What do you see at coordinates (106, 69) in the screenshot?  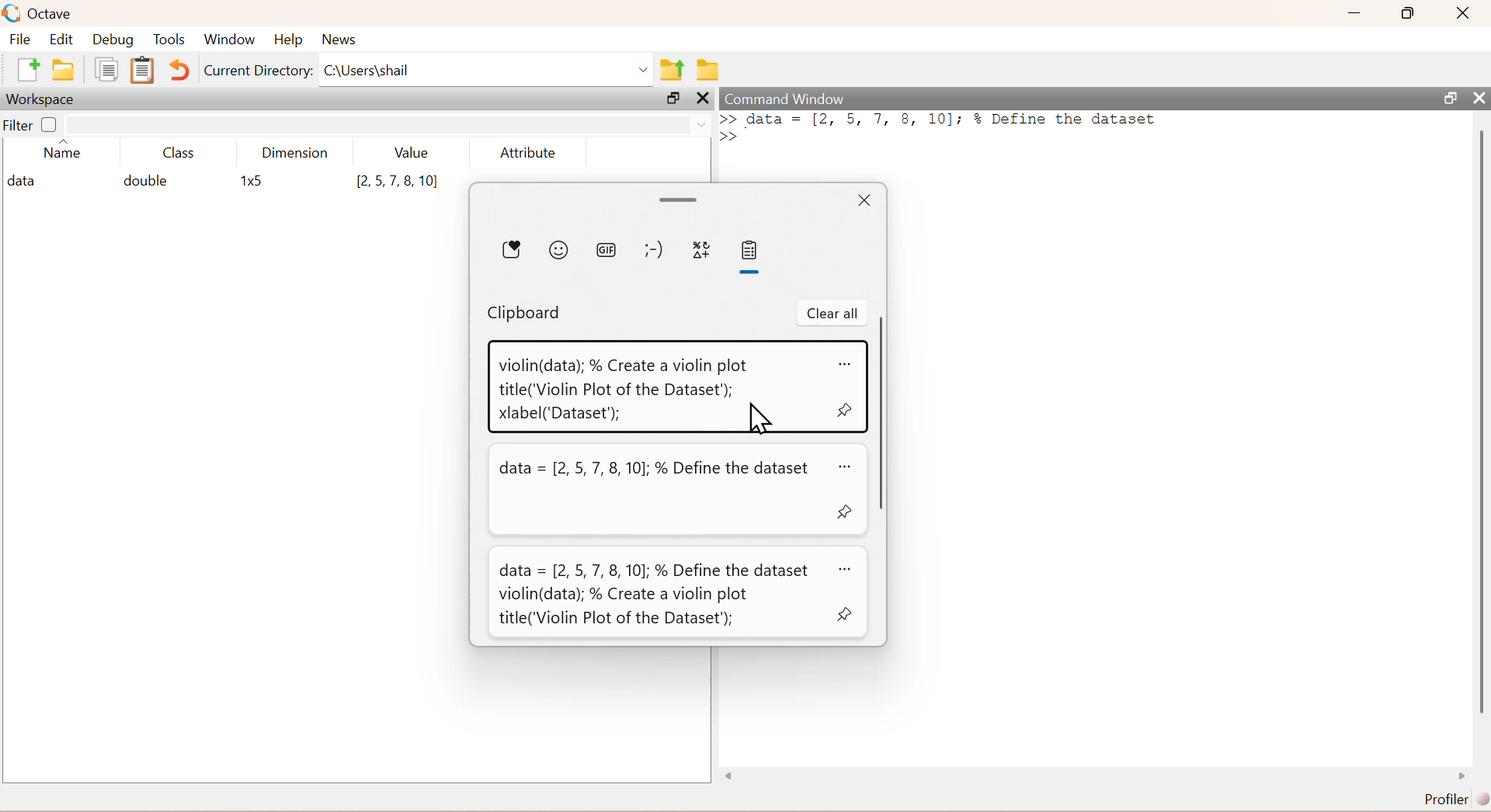 I see `copy` at bounding box center [106, 69].